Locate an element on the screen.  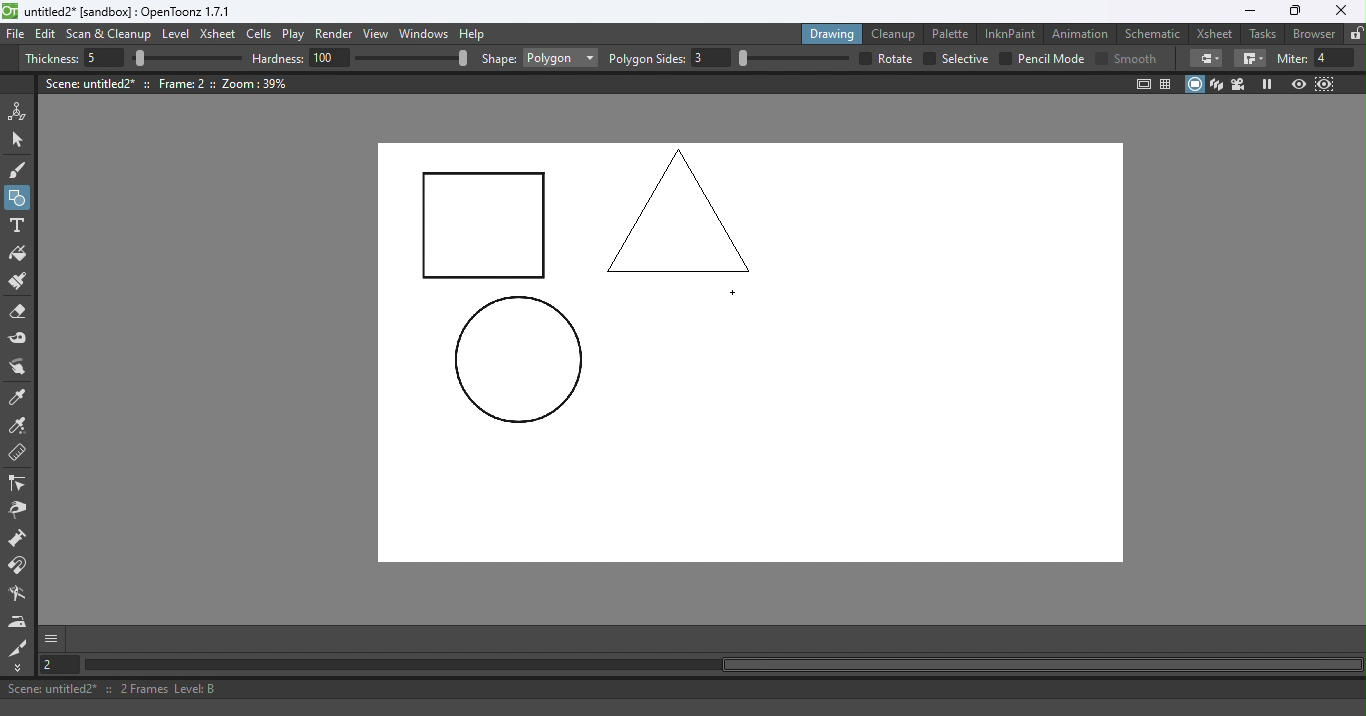
3D View is located at coordinates (1218, 84).